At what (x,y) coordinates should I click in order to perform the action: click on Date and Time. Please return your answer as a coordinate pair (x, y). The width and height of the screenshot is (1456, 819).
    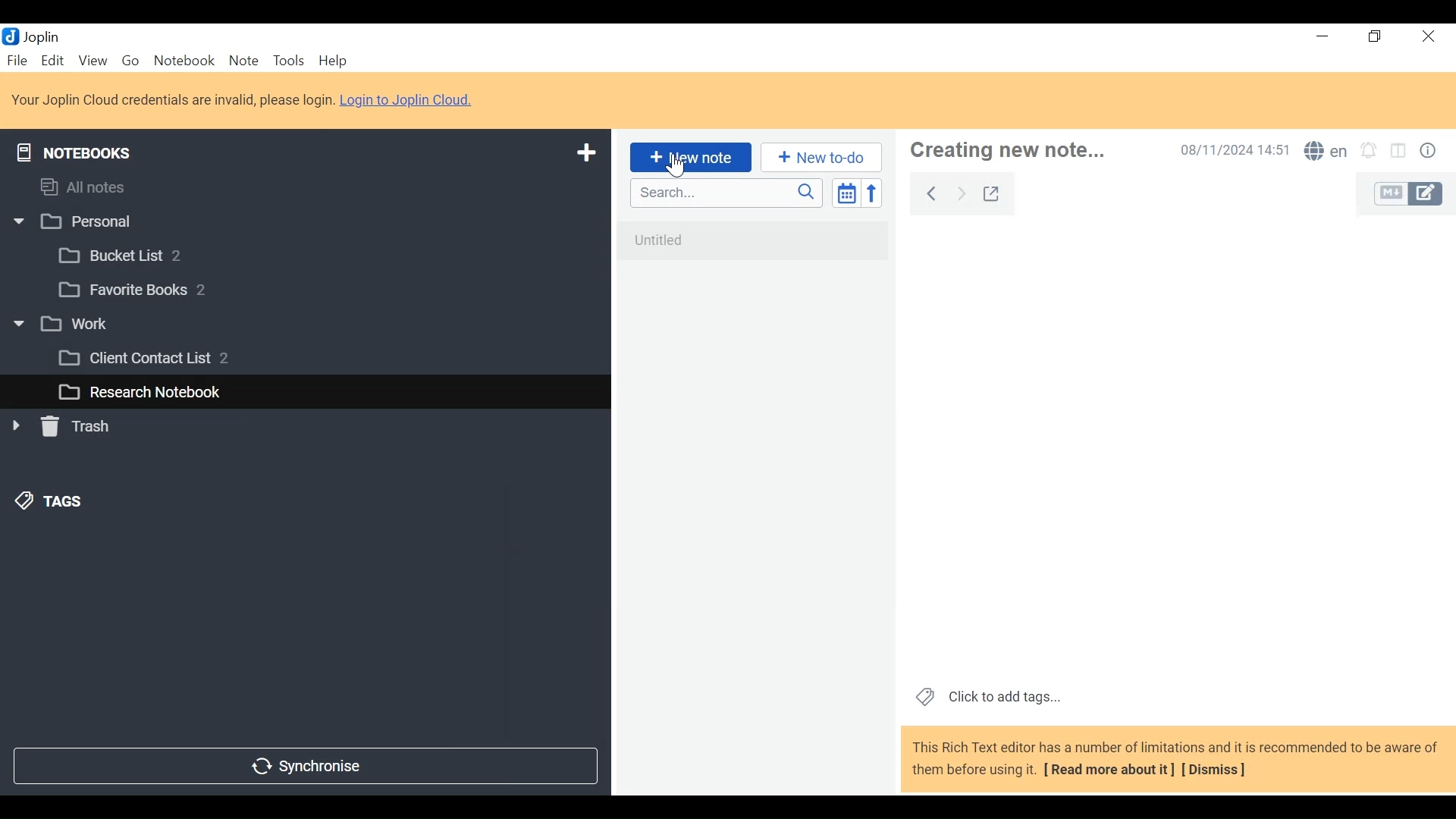
    Looking at the image, I should click on (1231, 149).